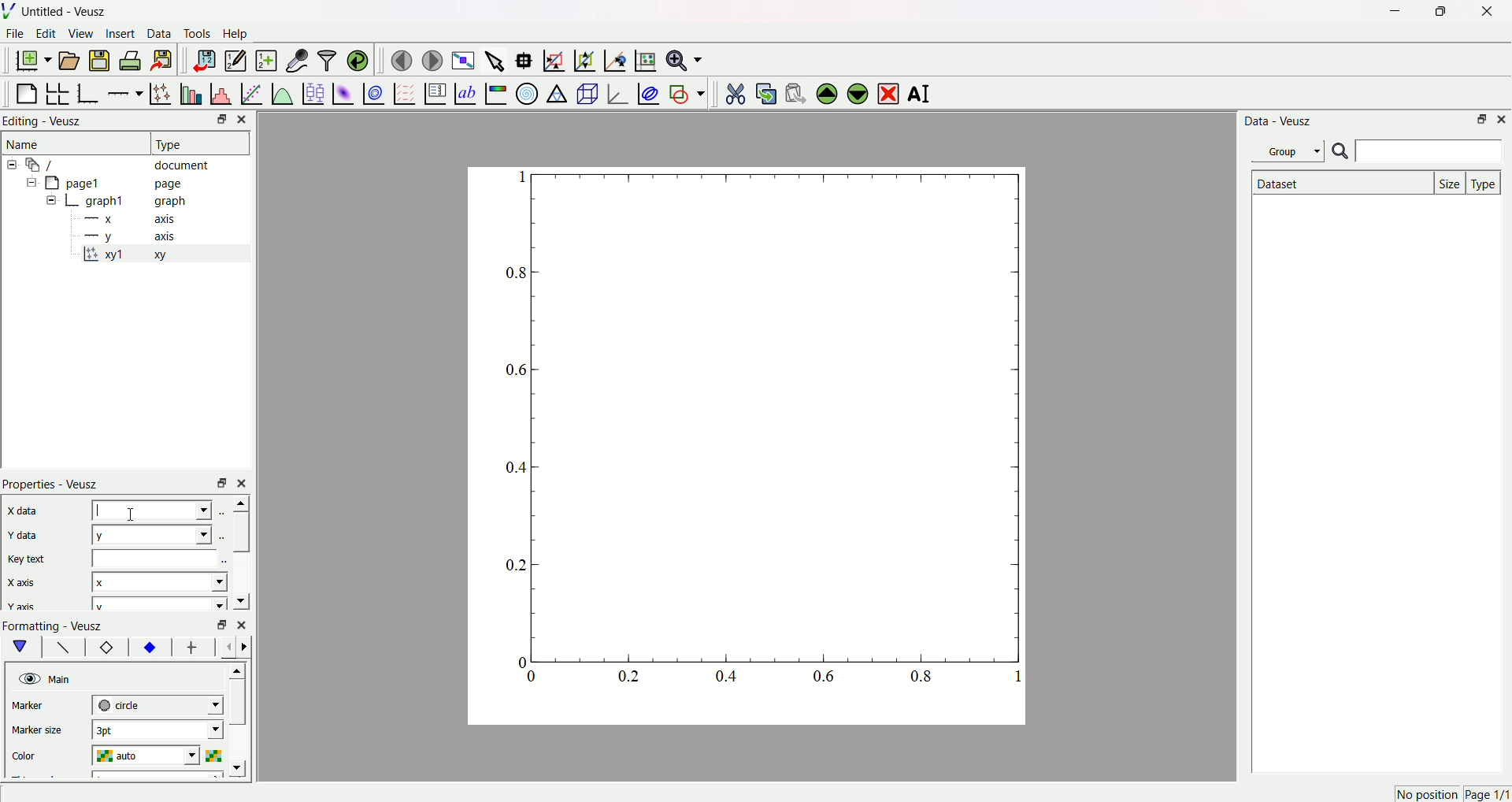 The width and height of the screenshot is (1512, 802). I want to click on select items, so click(496, 58).